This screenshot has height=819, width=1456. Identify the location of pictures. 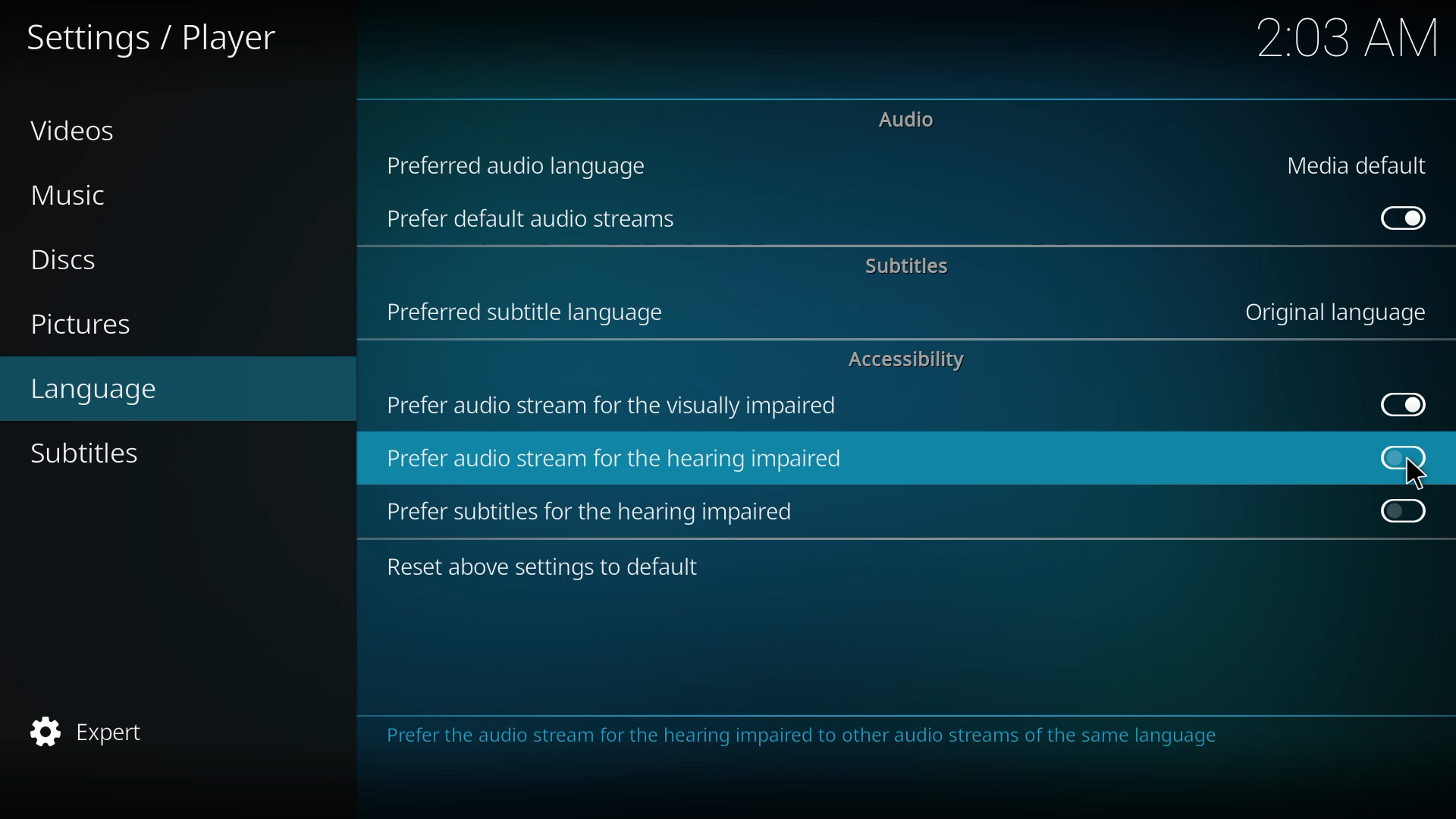
(87, 323).